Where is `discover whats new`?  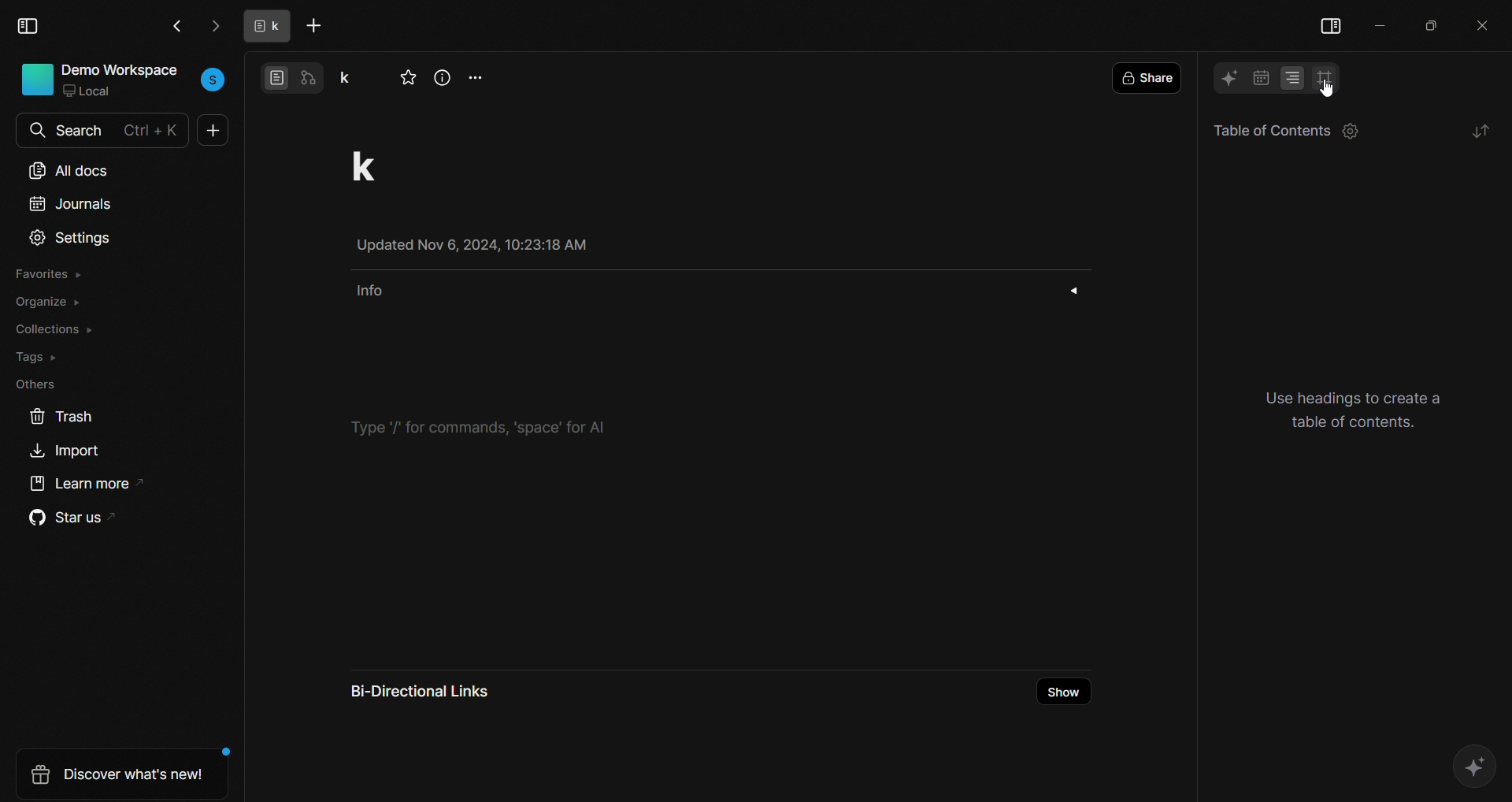 discover whats new is located at coordinates (114, 774).